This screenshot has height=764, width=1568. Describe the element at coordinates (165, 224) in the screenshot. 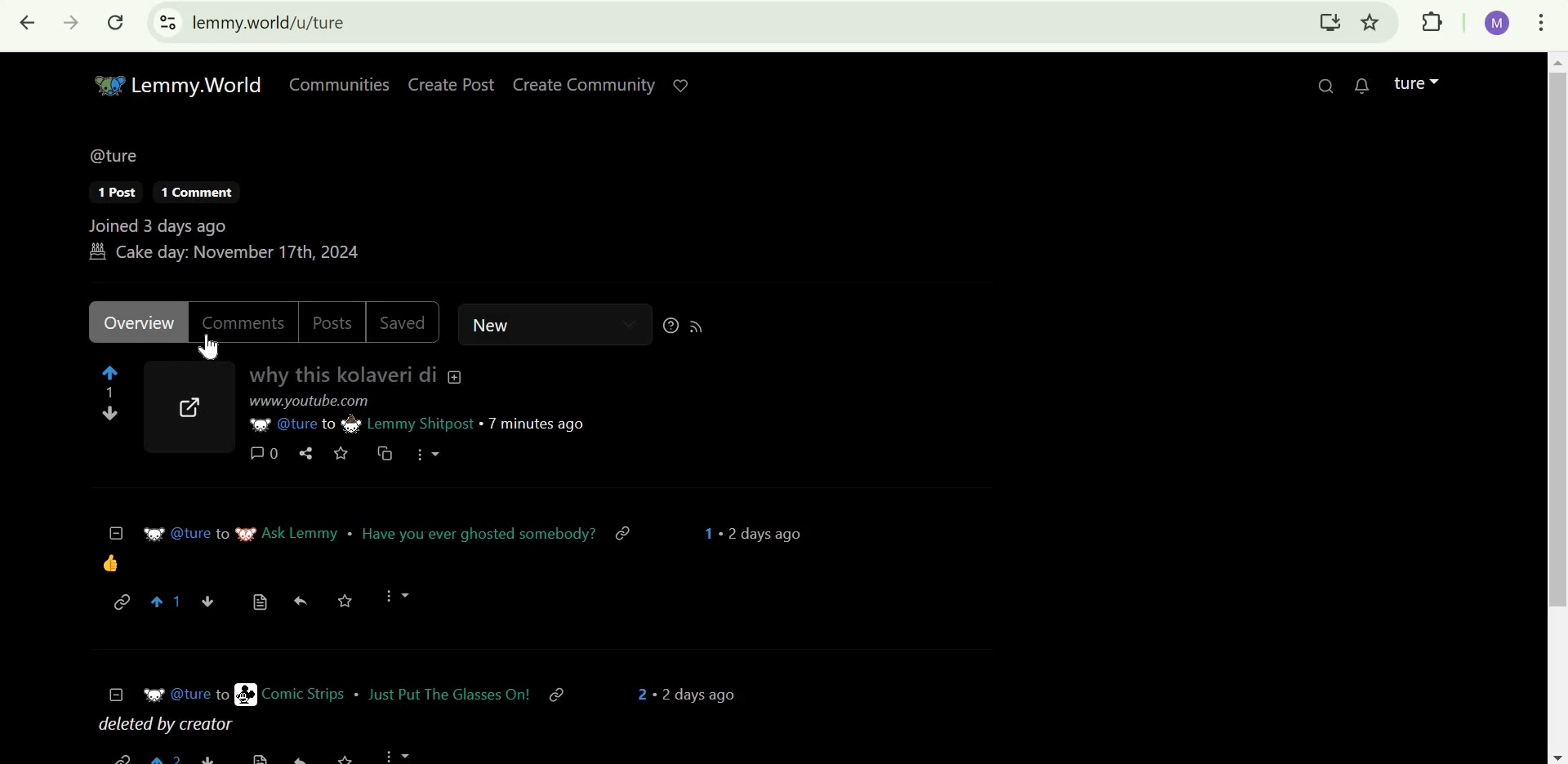

I see `joined 3 days ago` at that location.